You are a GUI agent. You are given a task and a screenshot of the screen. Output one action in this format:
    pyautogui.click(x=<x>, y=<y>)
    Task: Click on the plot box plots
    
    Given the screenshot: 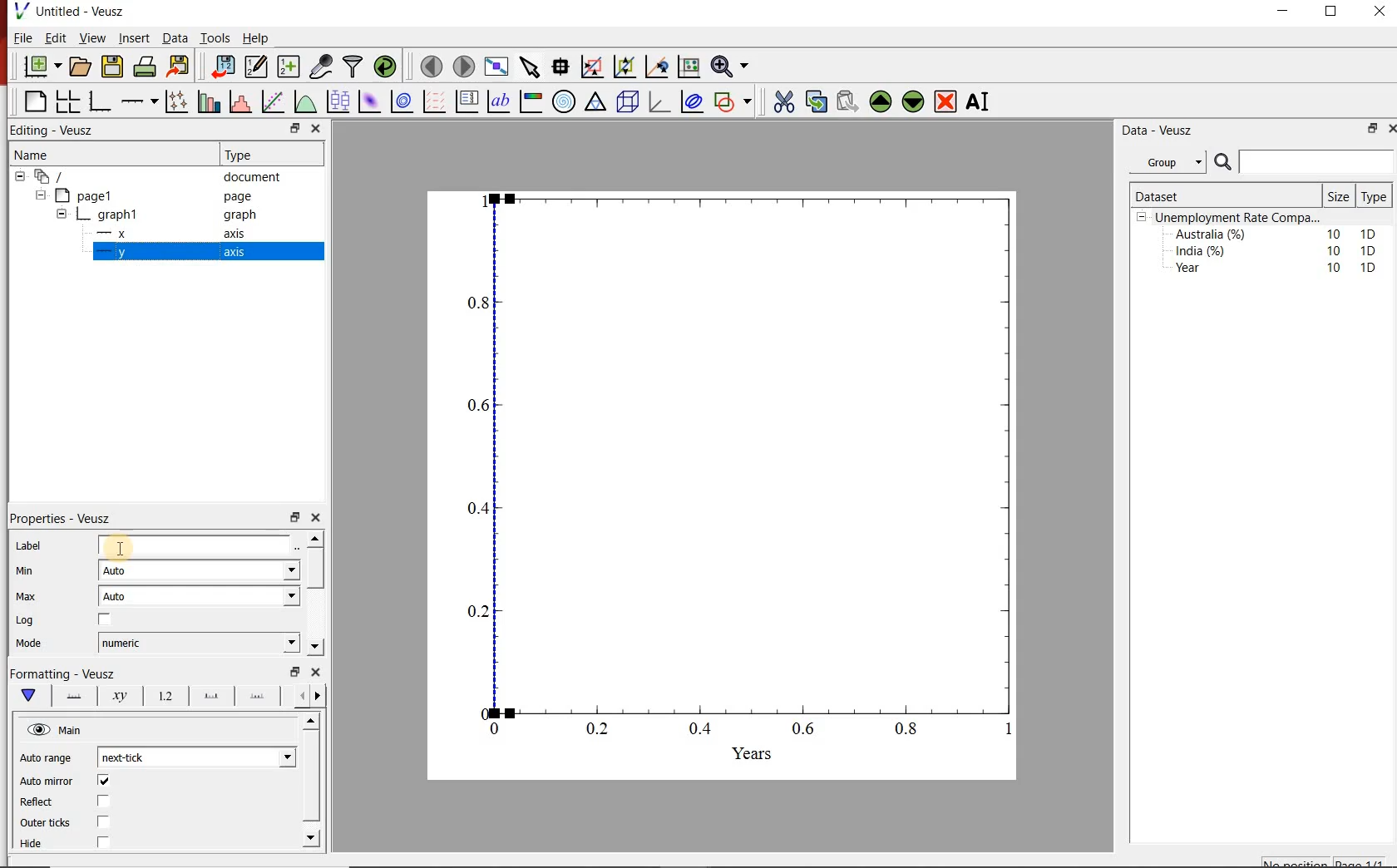 What is the action you would take?
    pyautogui.click(x=338, y=101)
    